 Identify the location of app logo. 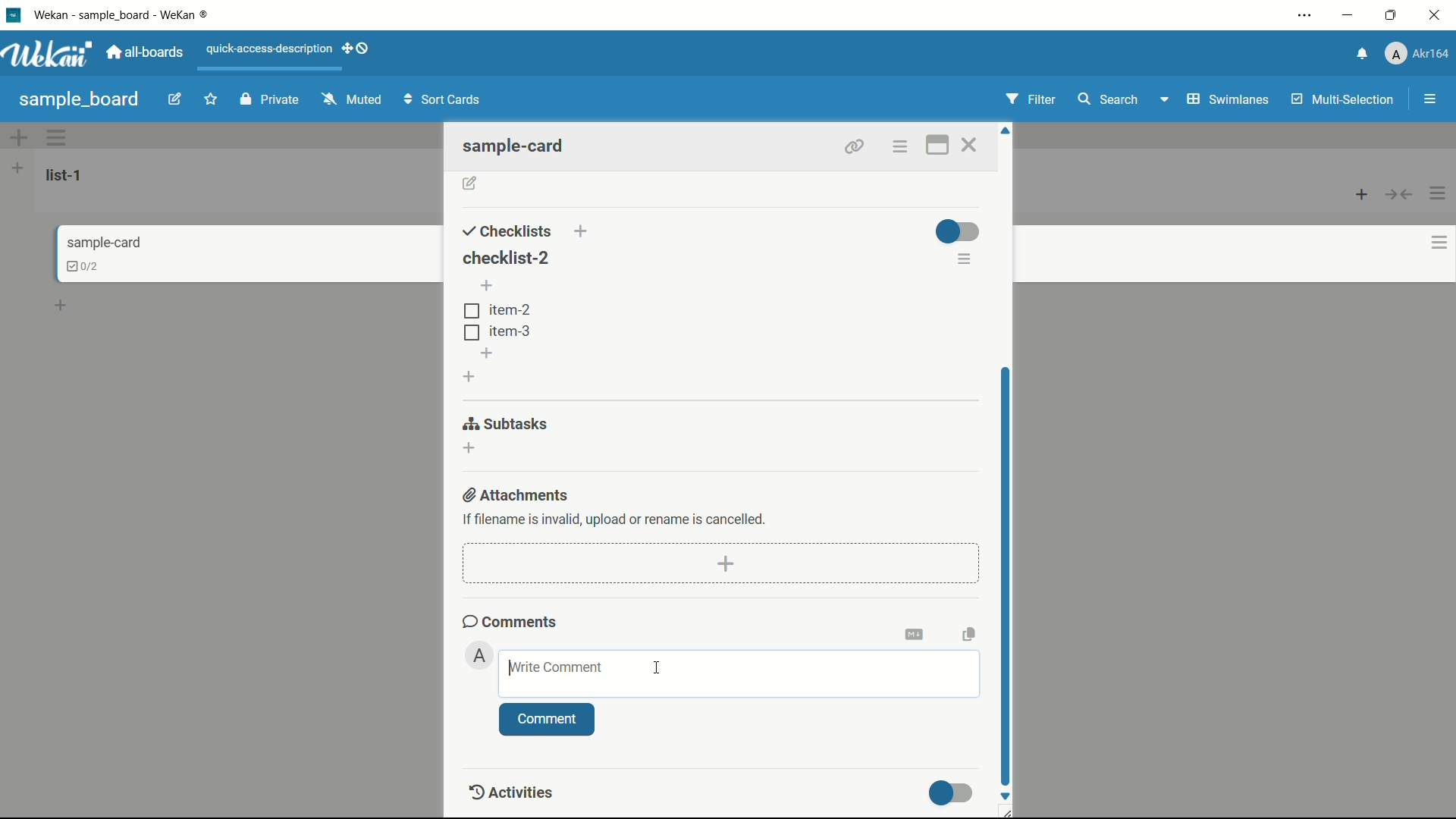
(52, 55).